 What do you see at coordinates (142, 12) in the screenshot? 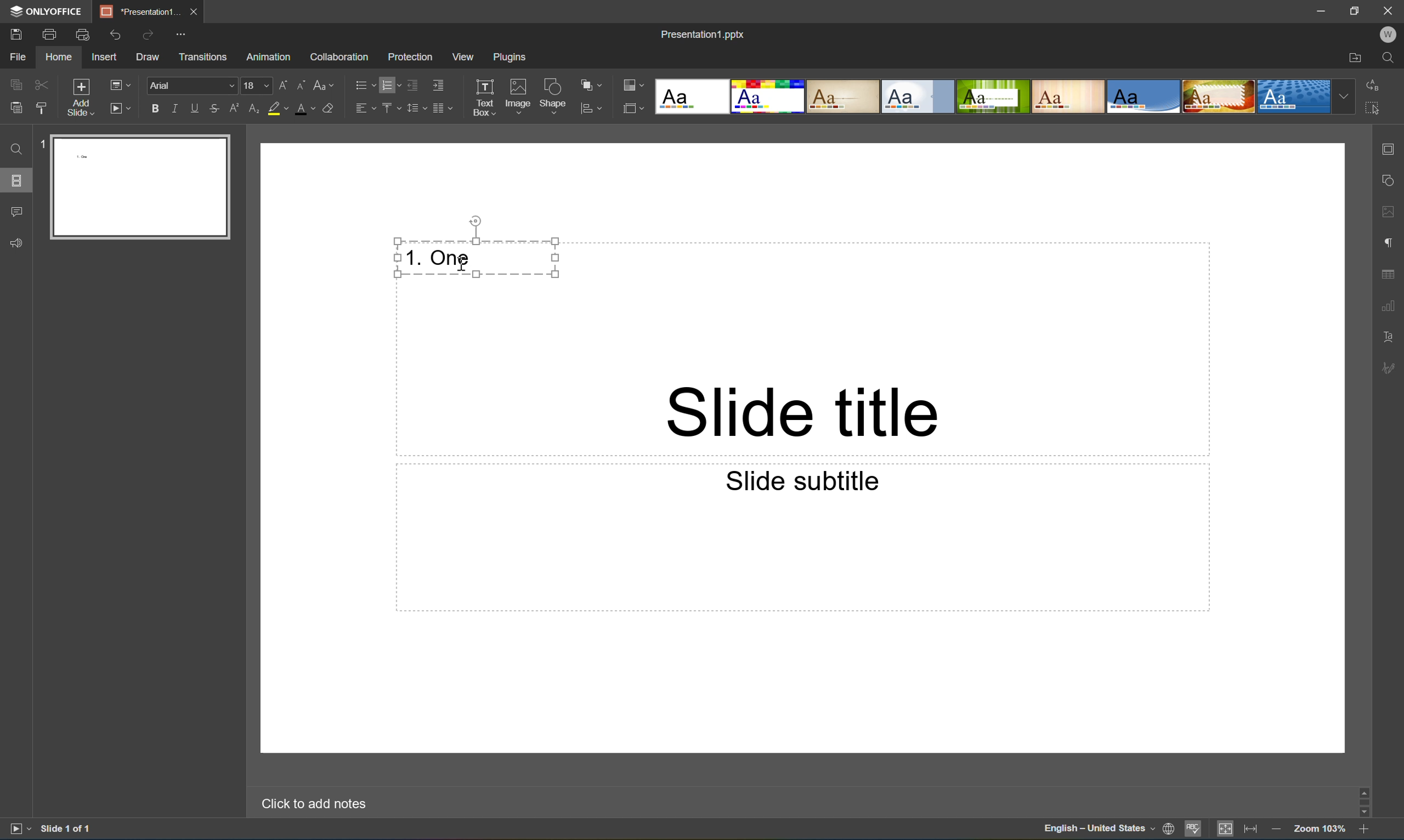
I see `*Presentation1...` at bounding box center [142, 12].